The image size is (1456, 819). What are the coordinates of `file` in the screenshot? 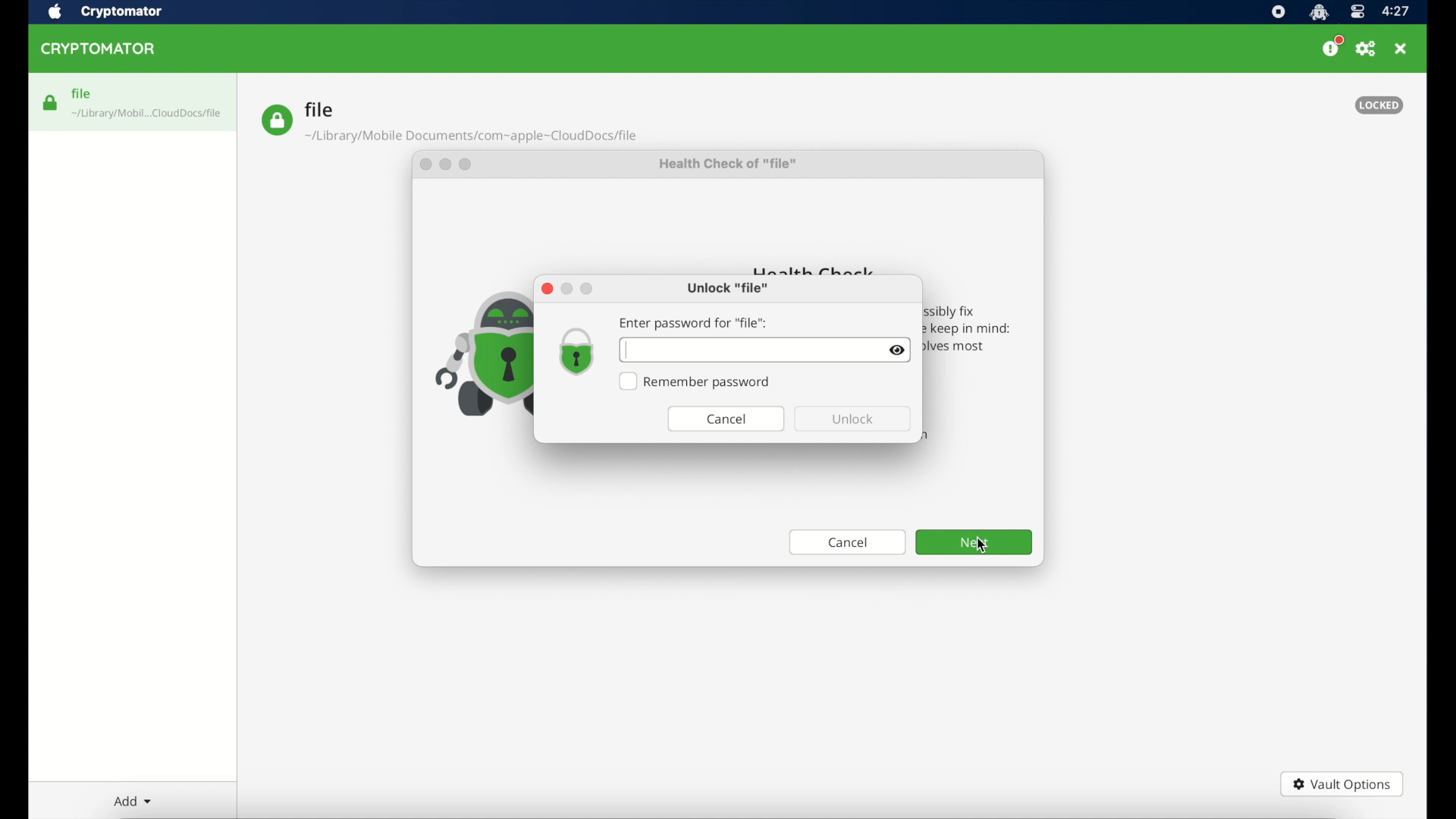 It's located at (449, 122).